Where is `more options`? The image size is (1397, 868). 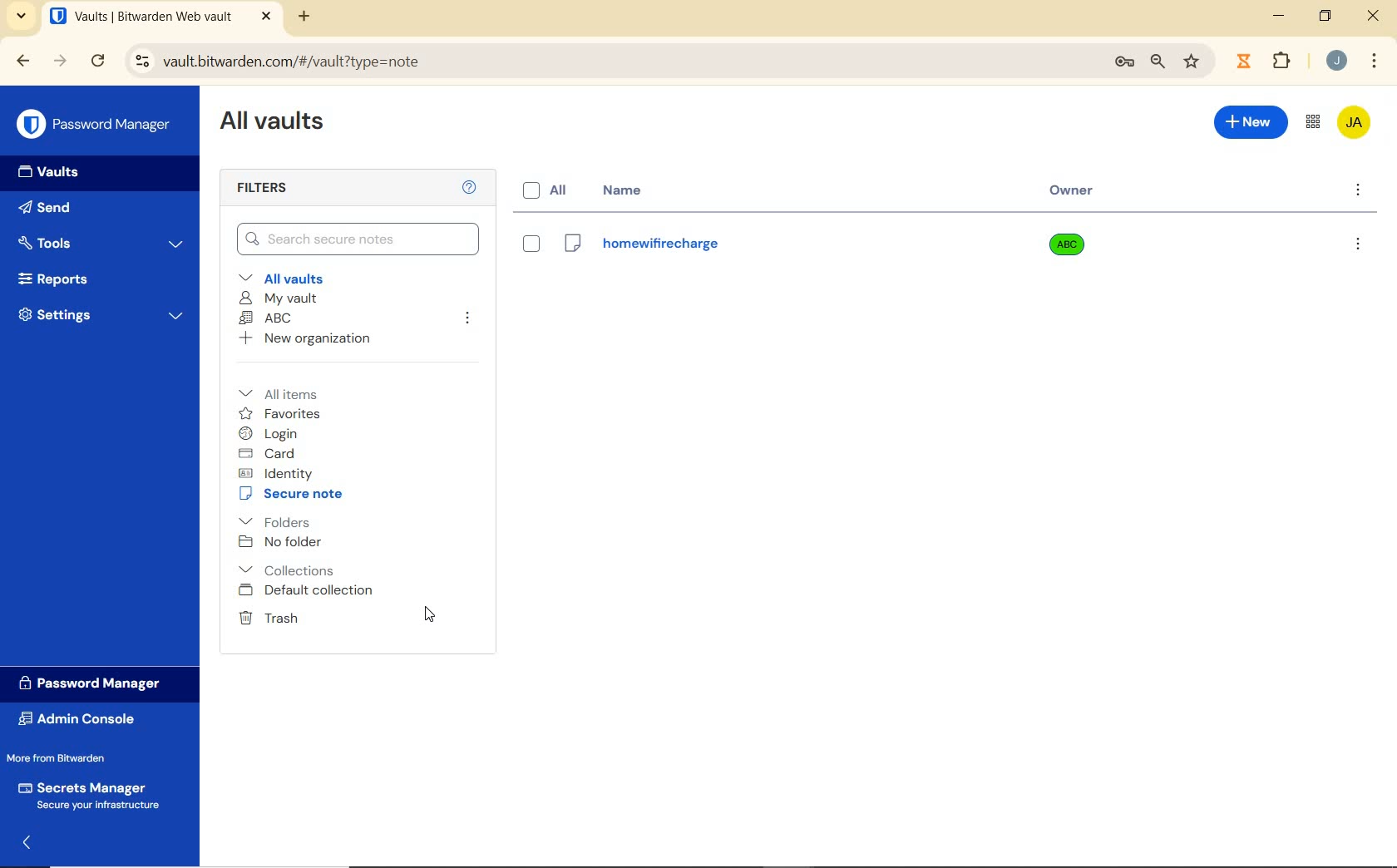 more options is located at coordinates (1356, 191).